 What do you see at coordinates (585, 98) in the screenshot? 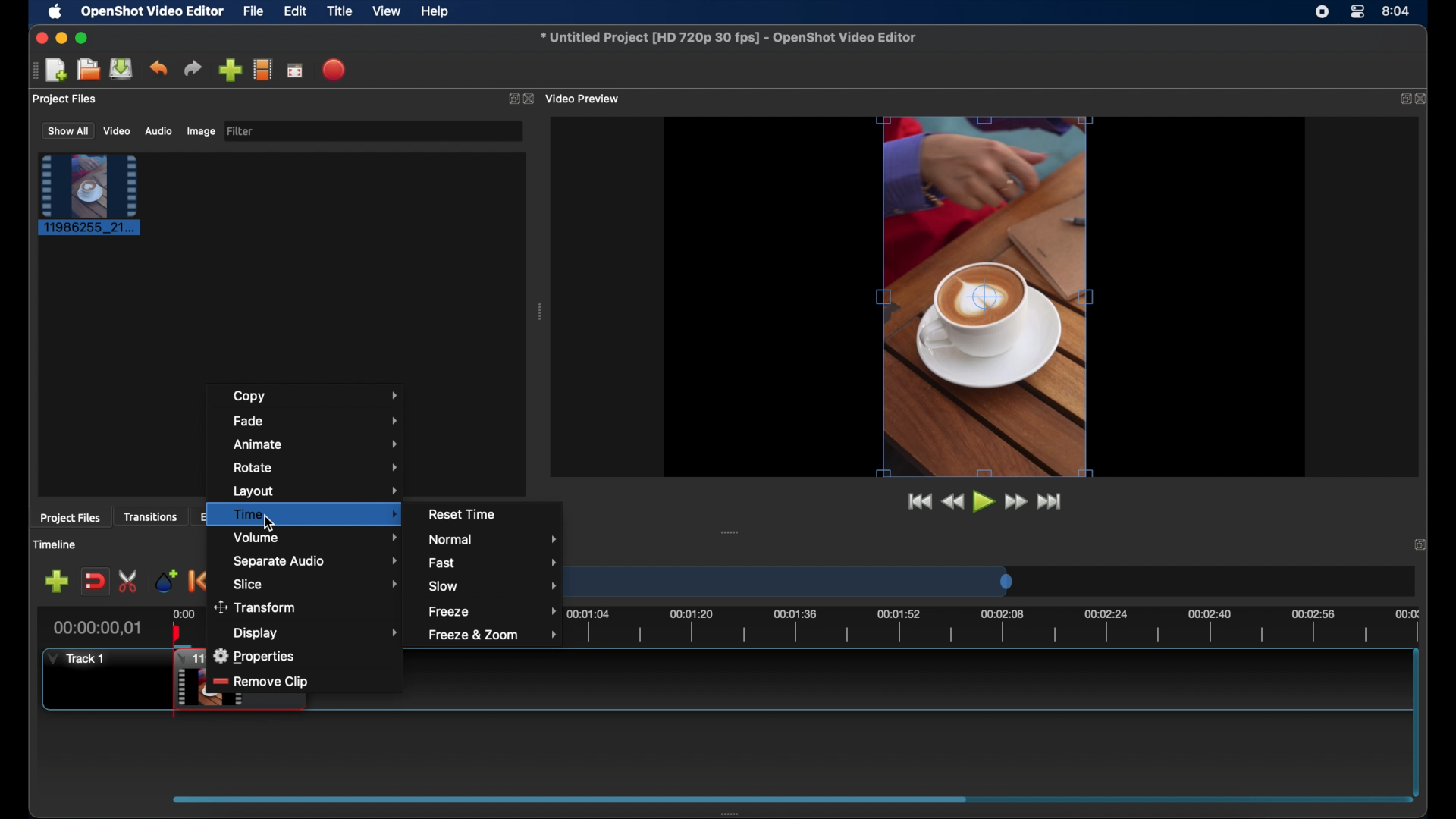
I see `video preview` at bounding box center [585, 98].